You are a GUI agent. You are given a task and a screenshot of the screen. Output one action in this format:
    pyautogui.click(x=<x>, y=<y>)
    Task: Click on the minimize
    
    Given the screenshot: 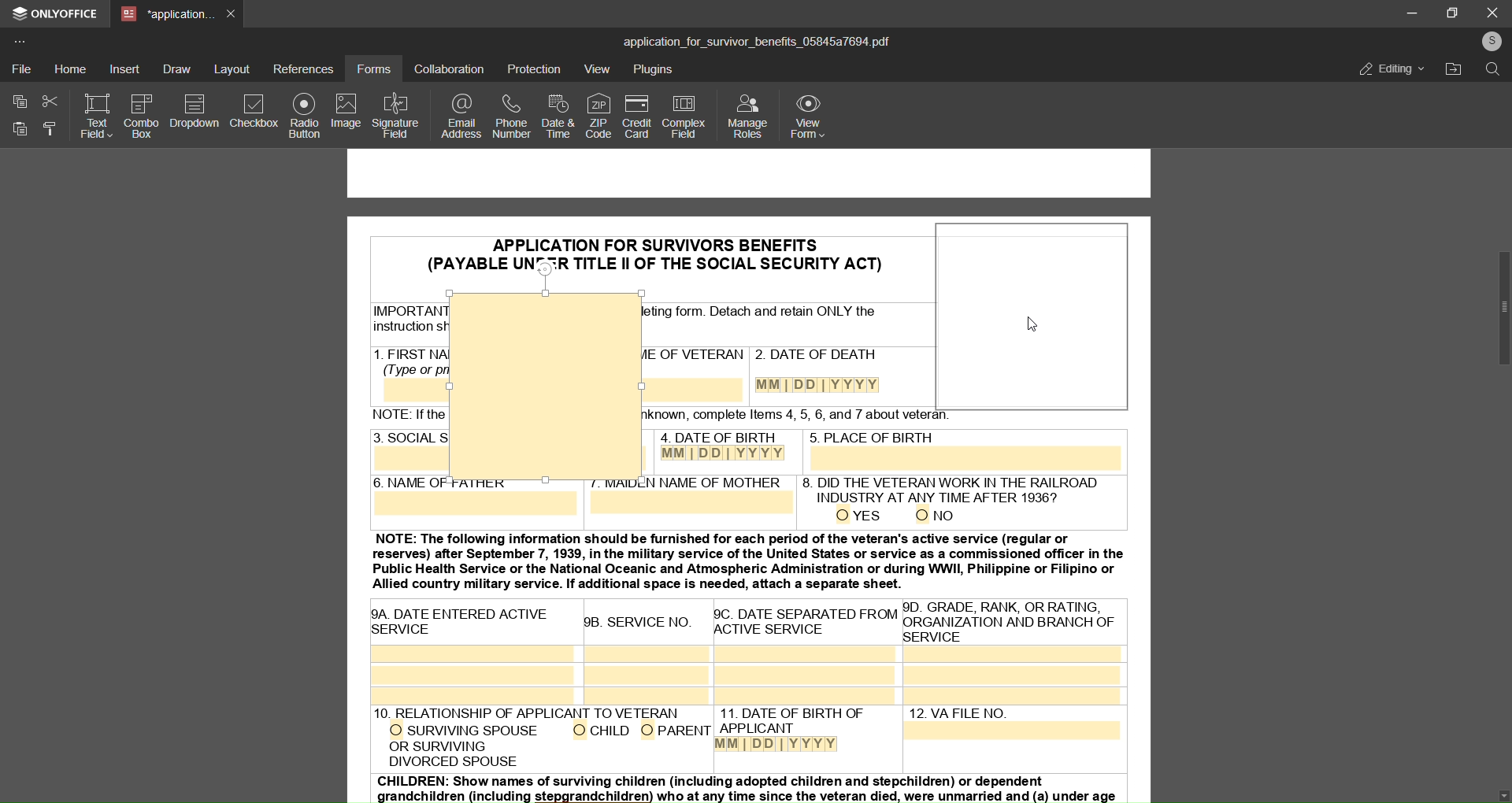 What is the action you would take?
    pyautogui.click(x=1407, y=13)
    